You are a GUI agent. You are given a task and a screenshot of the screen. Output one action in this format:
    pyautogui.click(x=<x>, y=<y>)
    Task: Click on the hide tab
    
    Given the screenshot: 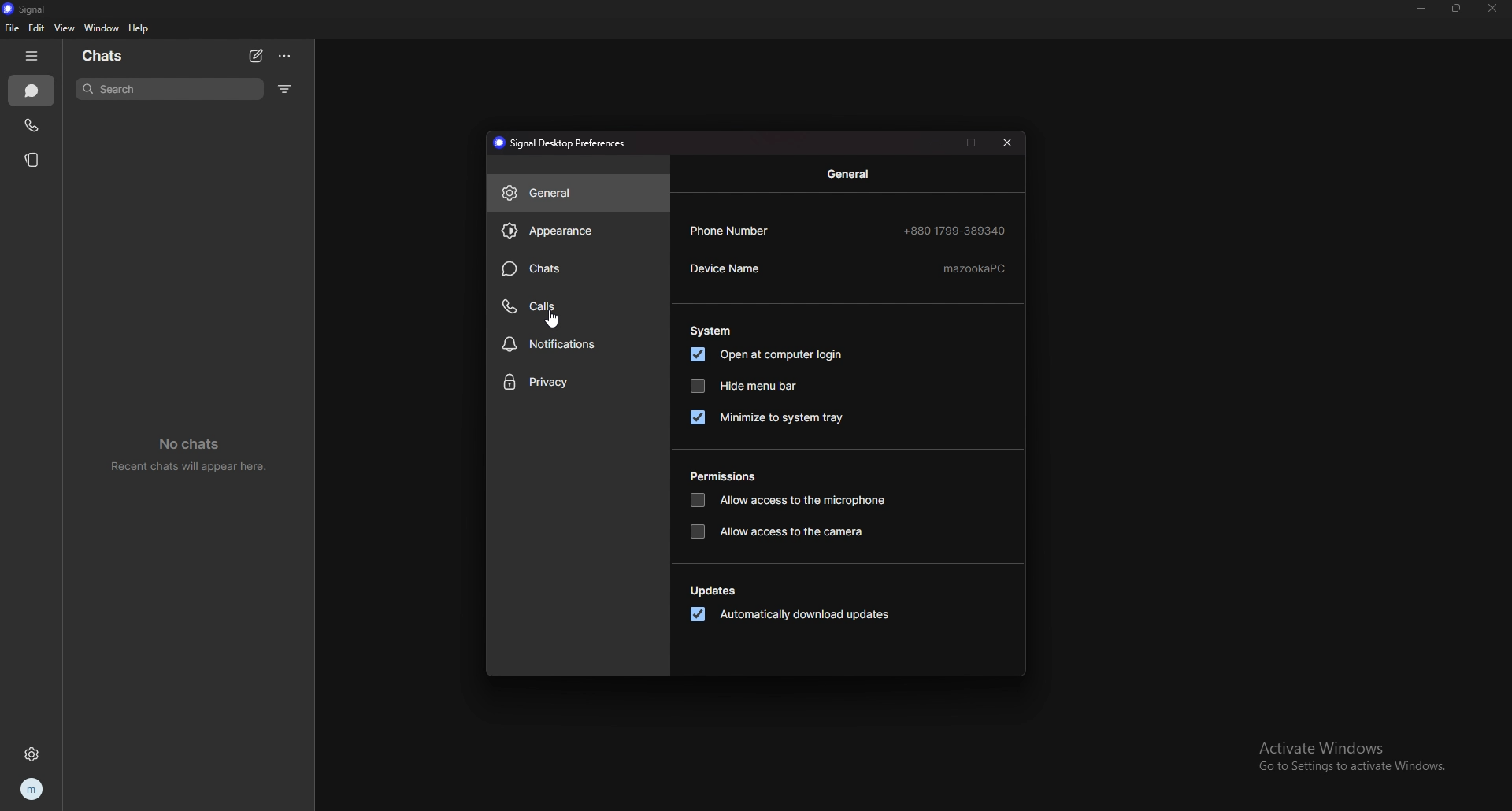 What is the action you would take?
    pyautogui.click(x=35, y=56)
    